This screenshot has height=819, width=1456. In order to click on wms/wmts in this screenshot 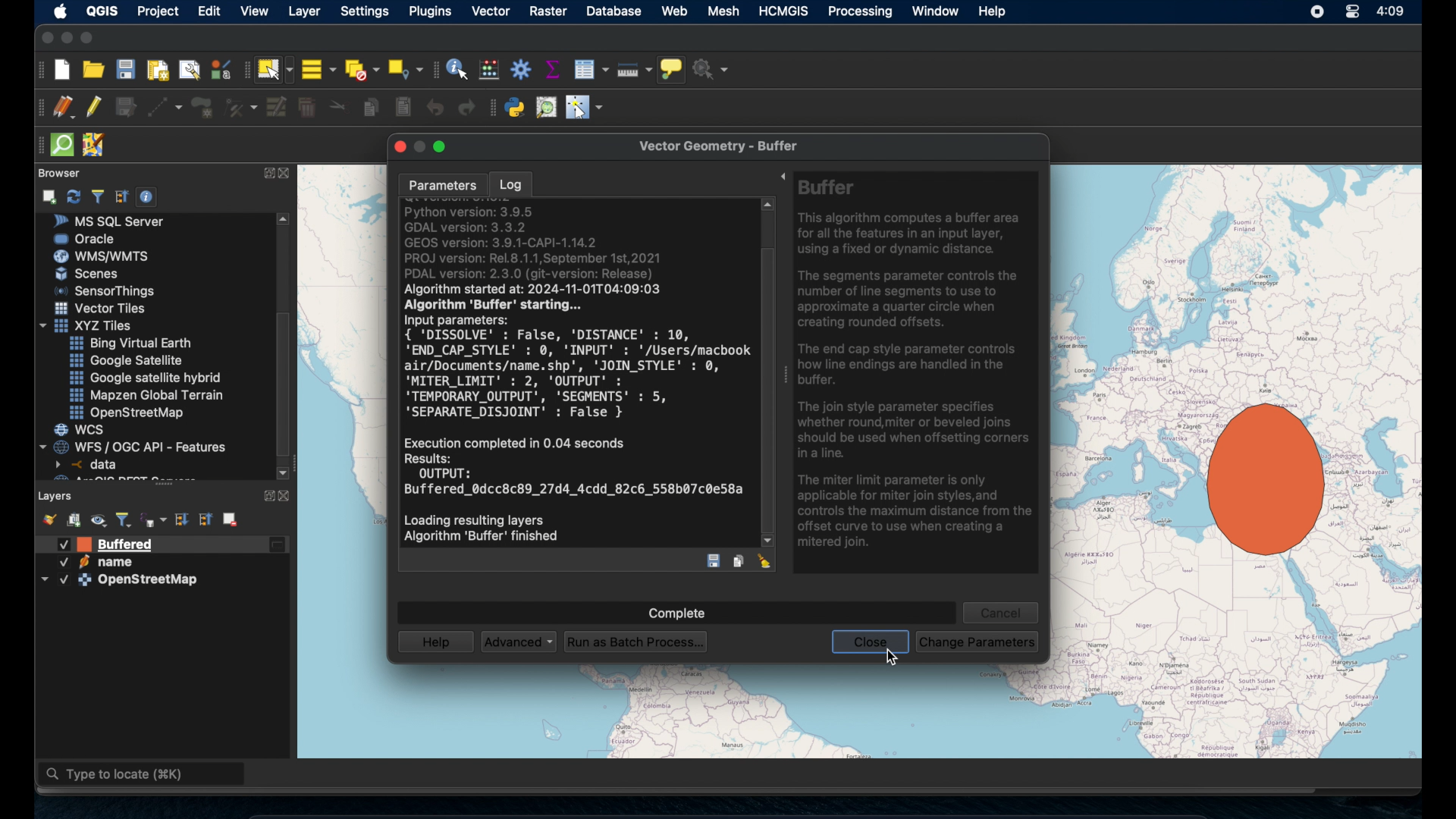, I will do `click(101, 256)`.